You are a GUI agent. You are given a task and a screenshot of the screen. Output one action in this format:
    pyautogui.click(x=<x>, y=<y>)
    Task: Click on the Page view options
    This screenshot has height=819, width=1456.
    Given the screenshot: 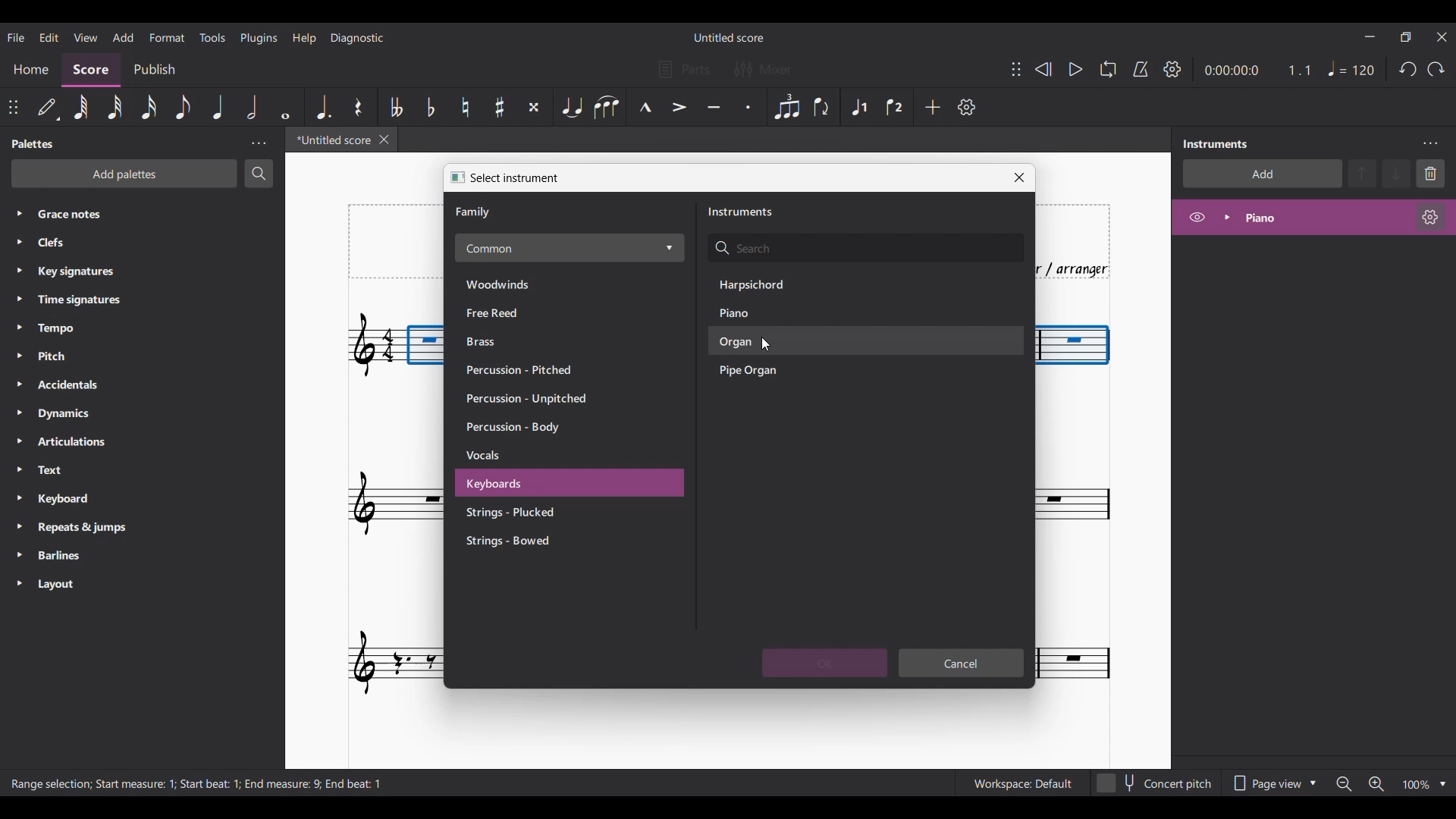 What is the action you would take?
    pyautogui.click(x=1273, y=783)
    